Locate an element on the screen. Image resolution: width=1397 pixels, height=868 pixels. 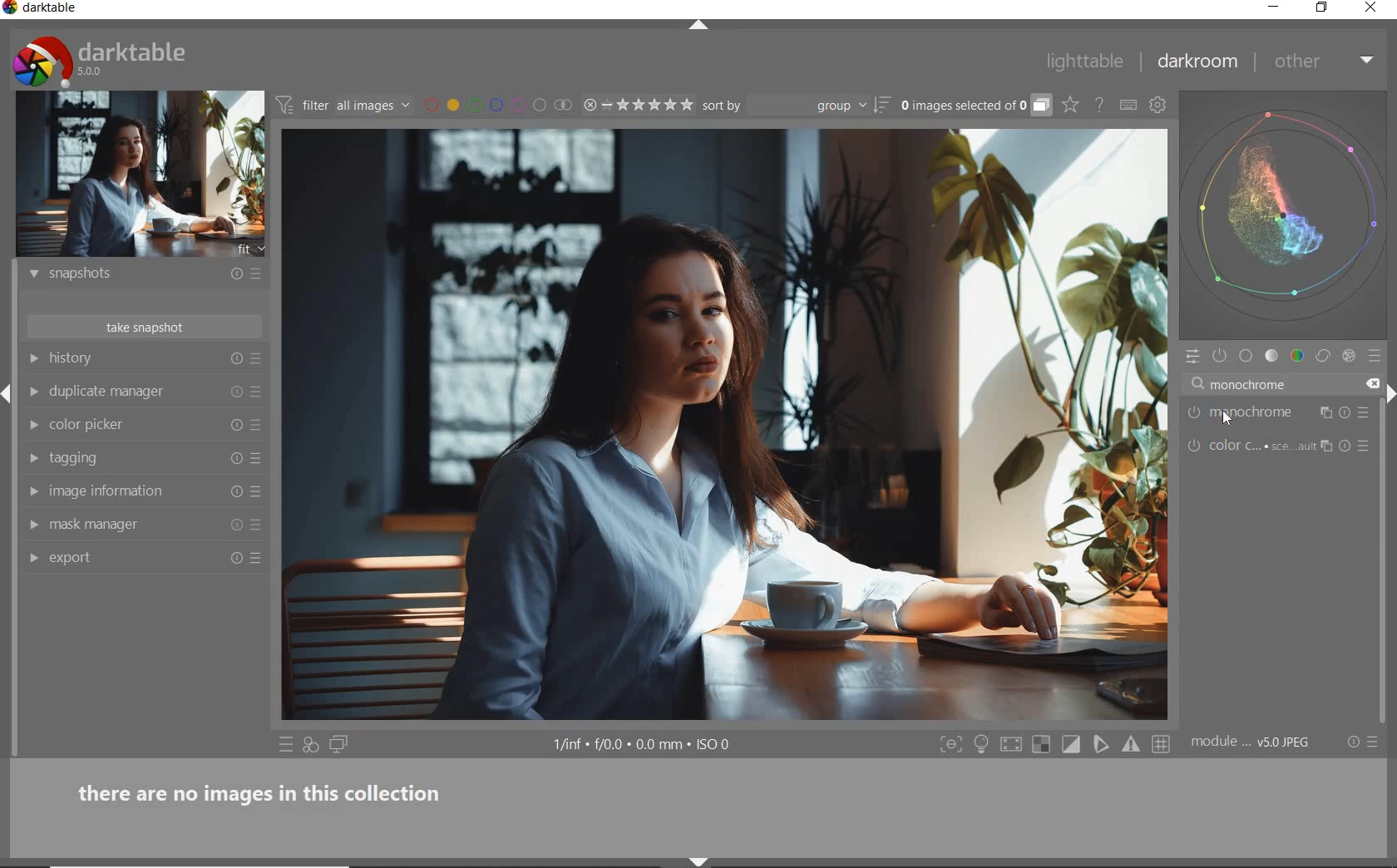
show module is located at coordinates (33, 392).